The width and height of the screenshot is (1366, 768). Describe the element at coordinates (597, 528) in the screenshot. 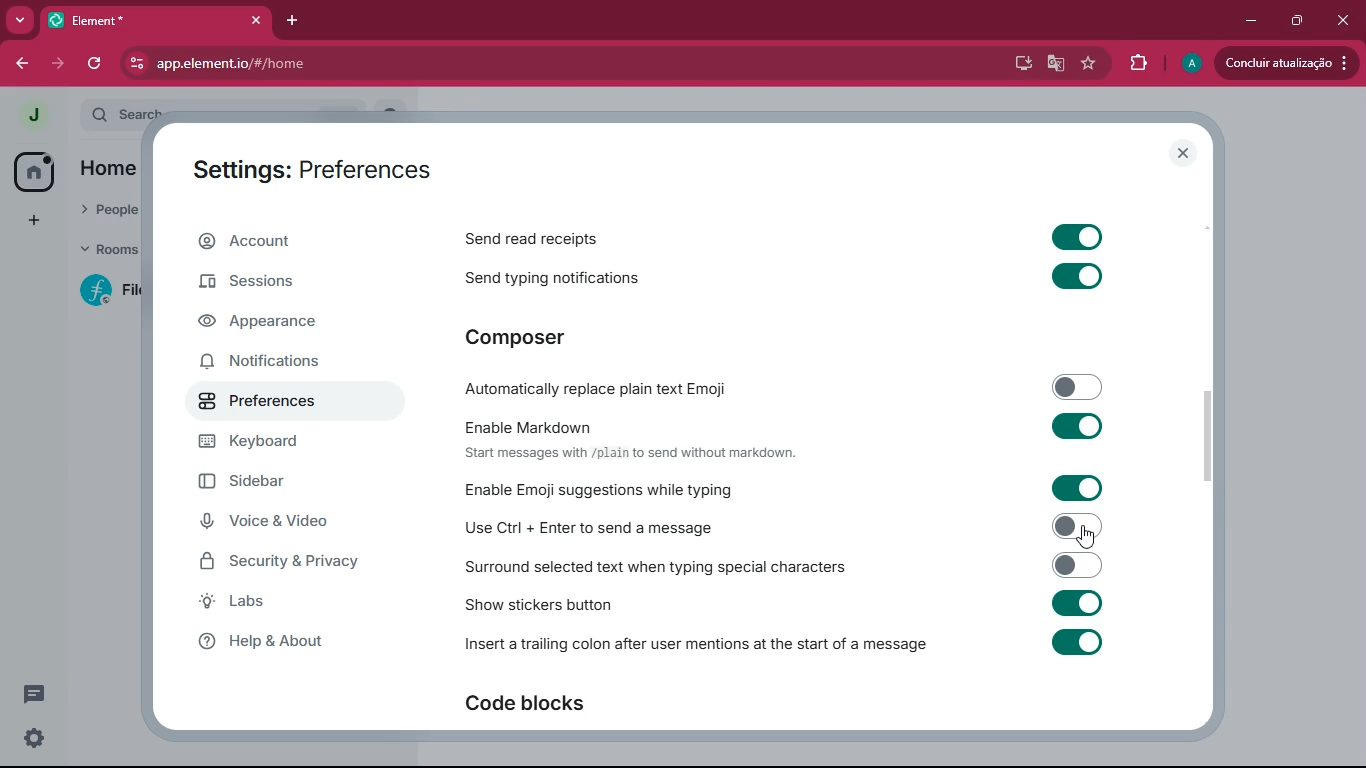

I see `use ctrl enter` at that location.